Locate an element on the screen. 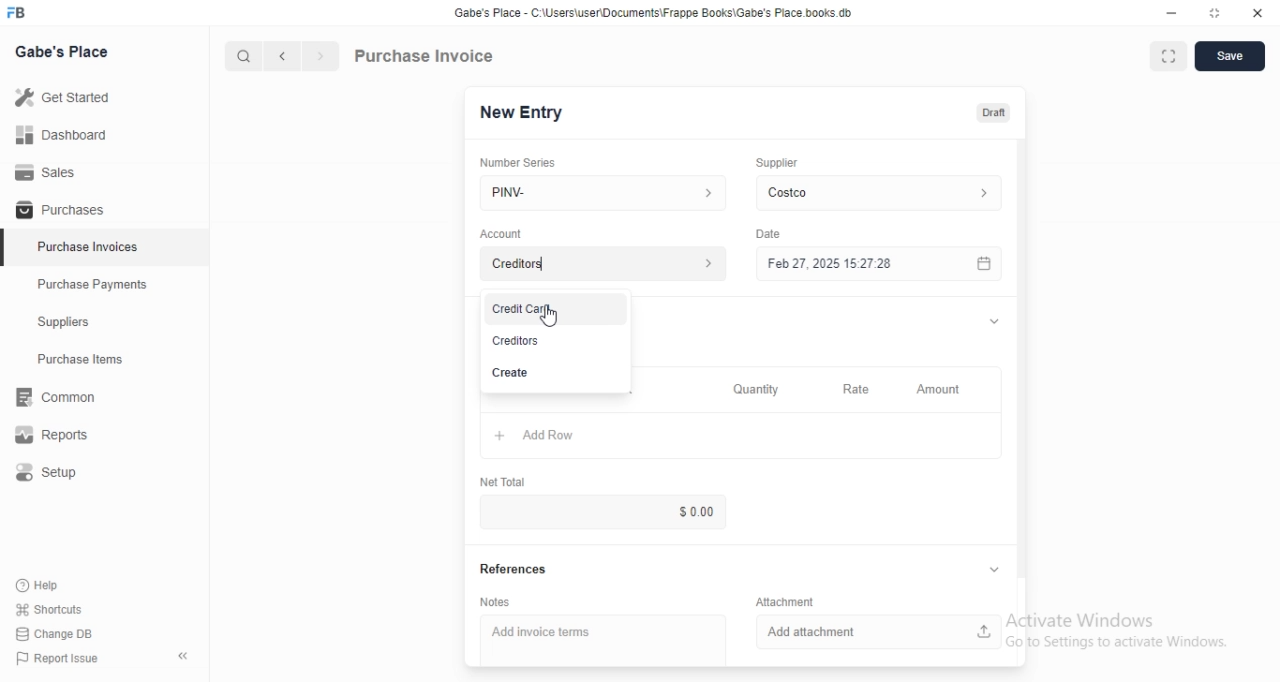 The width and height of the screenshot is (1280, 682). Suppliers is located at coordinates (104, 321).